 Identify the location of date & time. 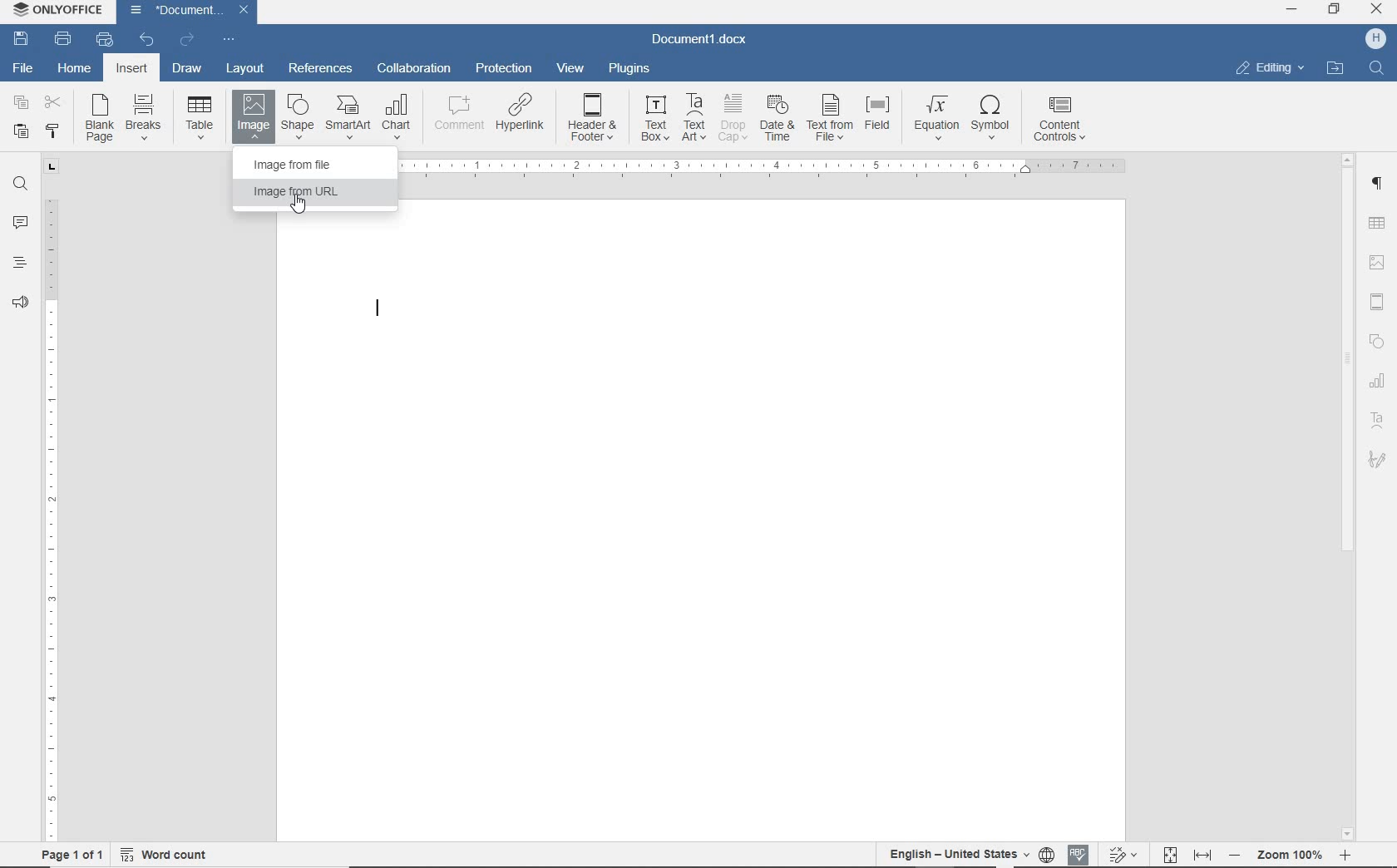
(778, 116).